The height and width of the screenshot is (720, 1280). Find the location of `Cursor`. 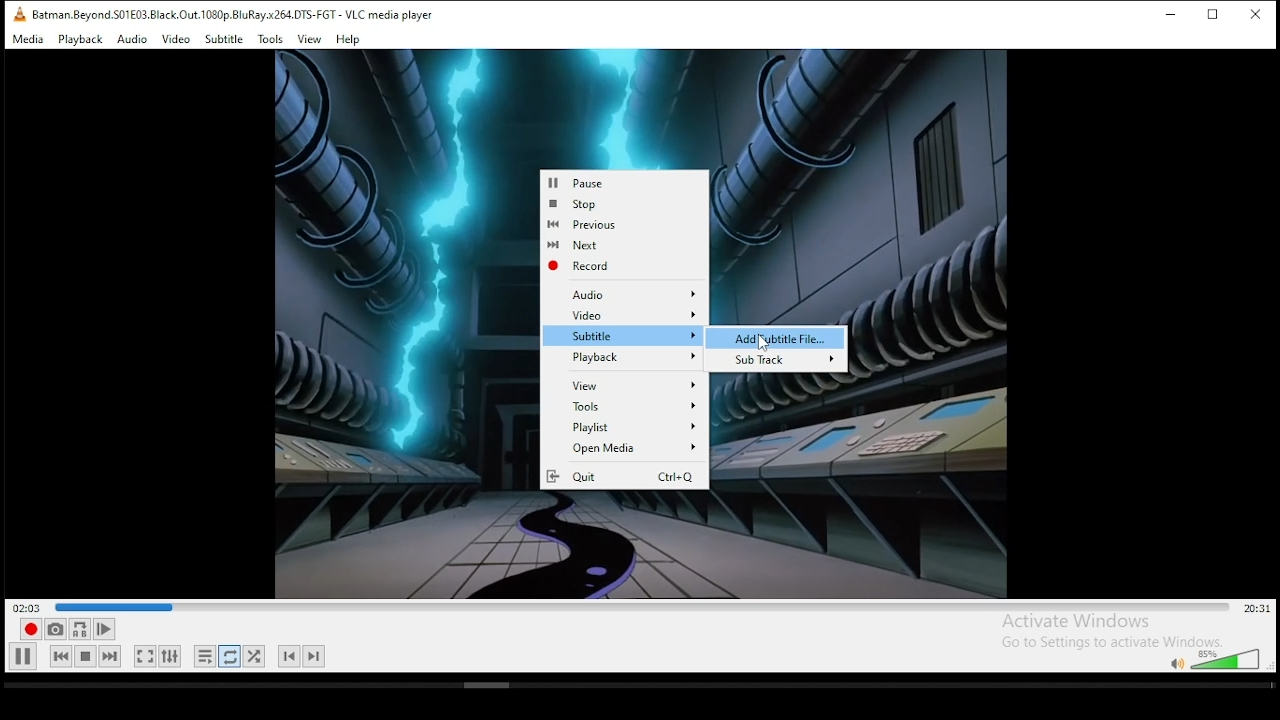

Cursor is located at coordinates (766, 341).